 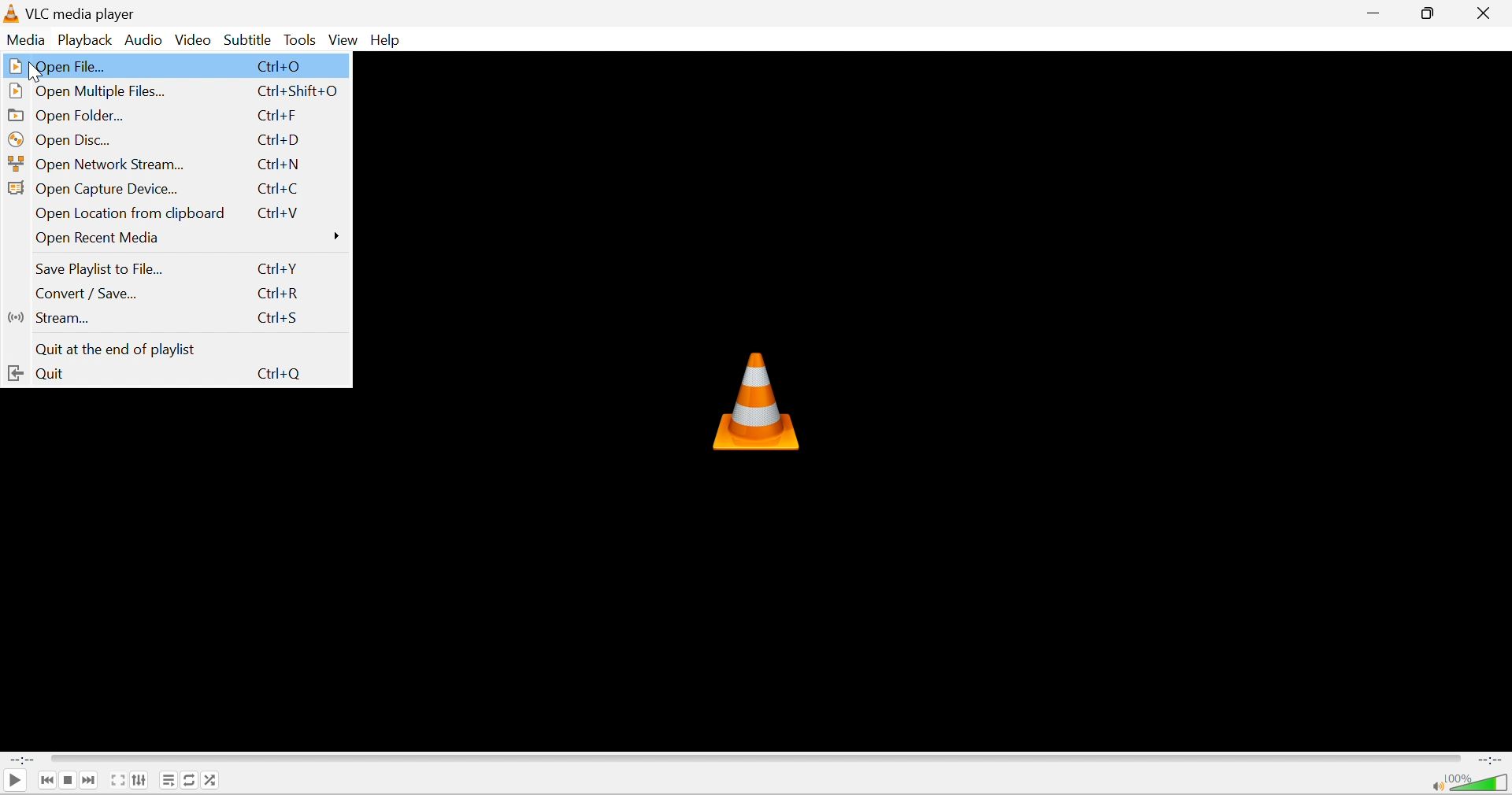 What do you see at coordinates (298, 92) in the screenshot?
I see `Ctrl + Shift + O` at bounding box center [298, 92].